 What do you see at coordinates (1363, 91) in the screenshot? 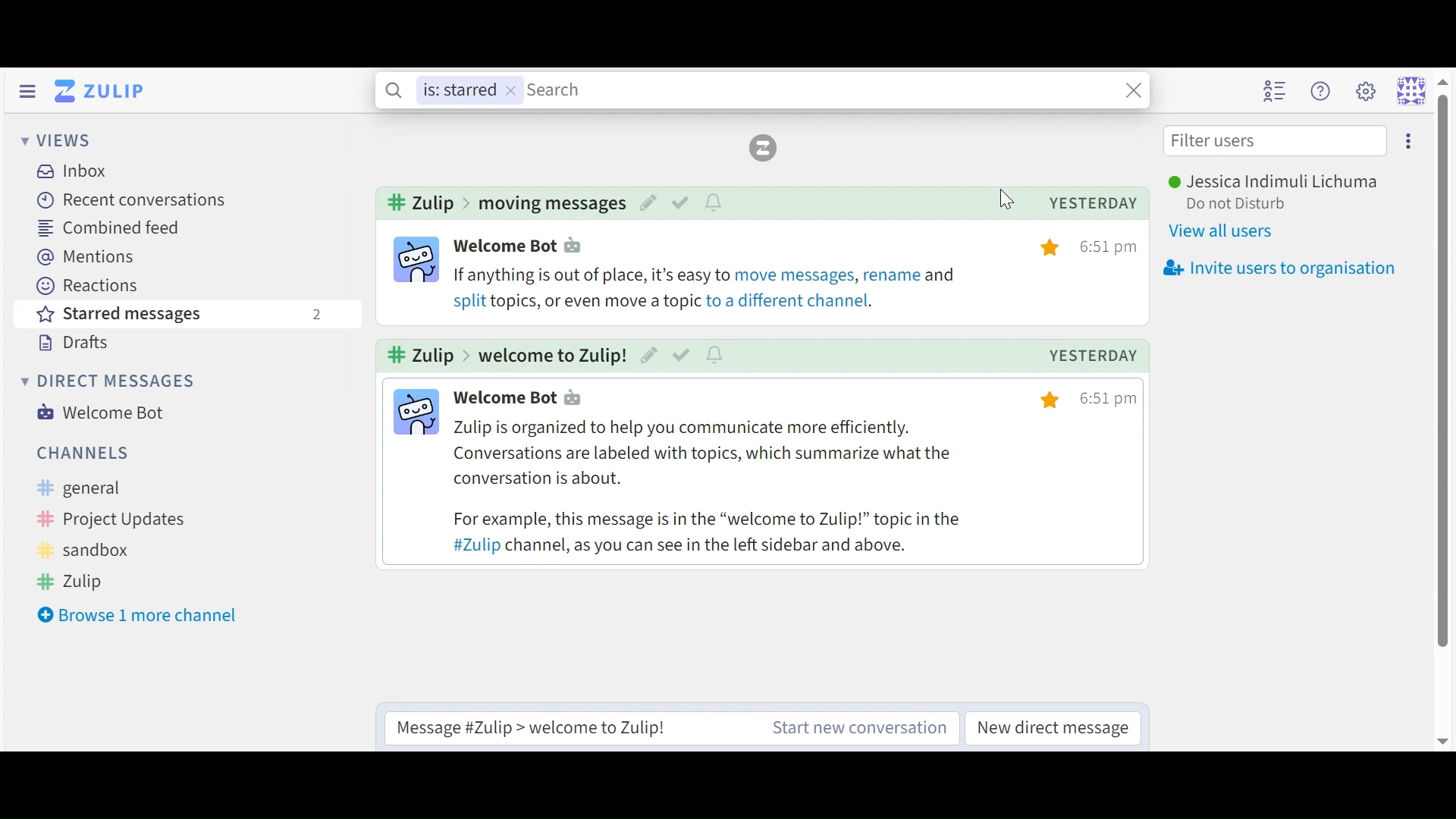
I see `main menu` at bounding box center [1363, 91].